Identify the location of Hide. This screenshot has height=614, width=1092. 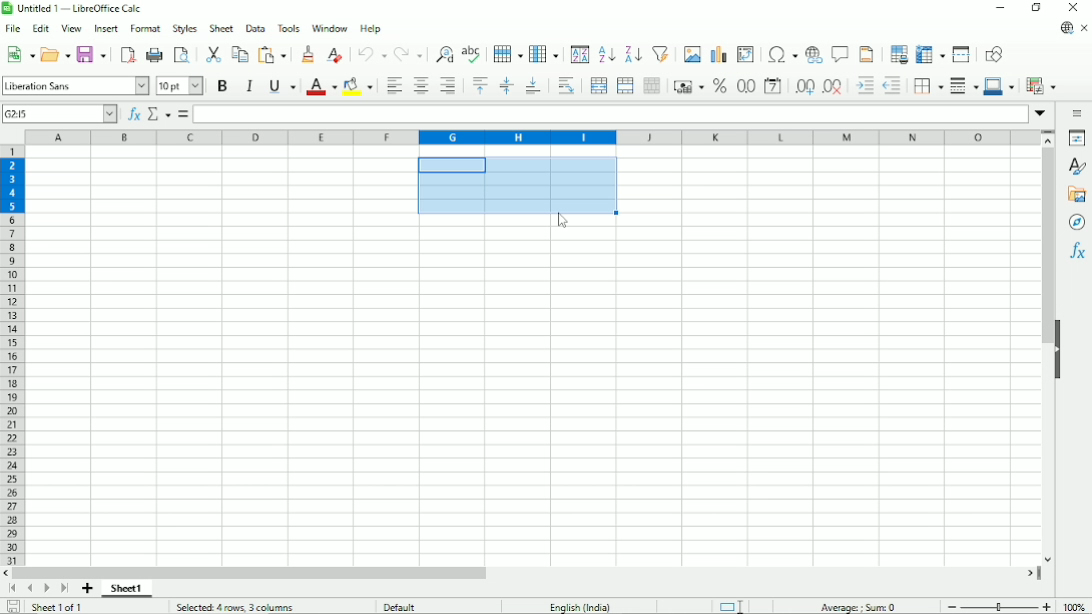
(1059, 350).